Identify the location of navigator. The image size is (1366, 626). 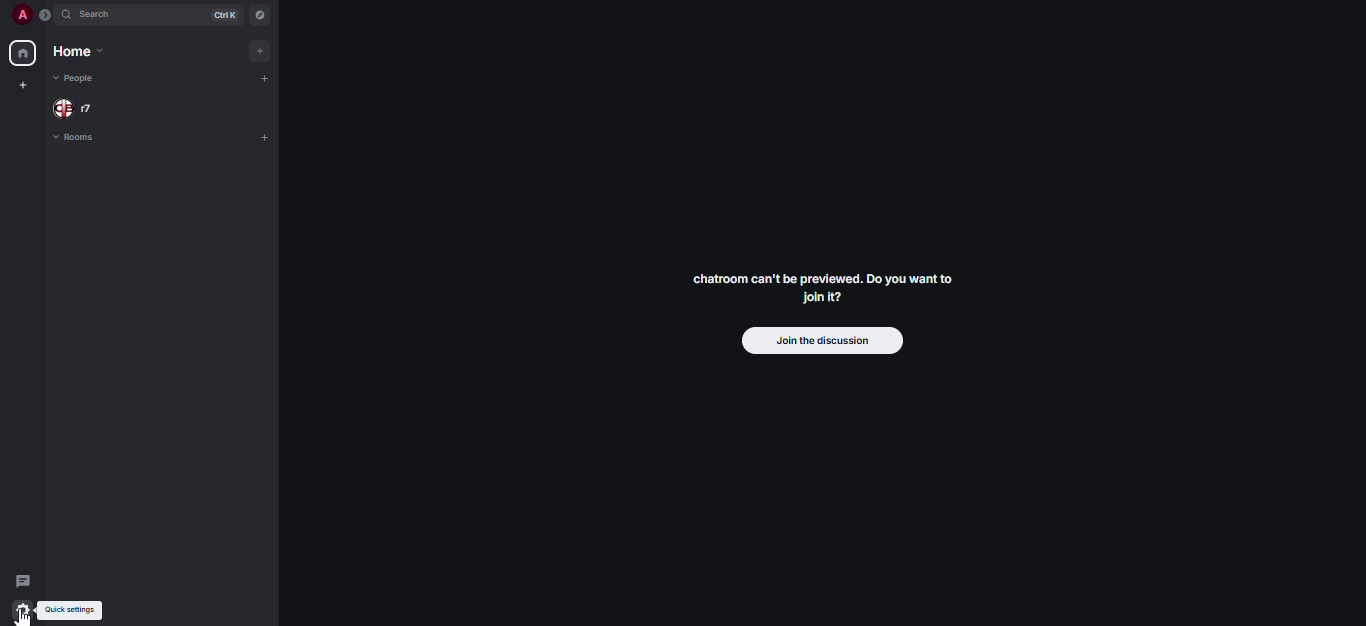
(262, 12).